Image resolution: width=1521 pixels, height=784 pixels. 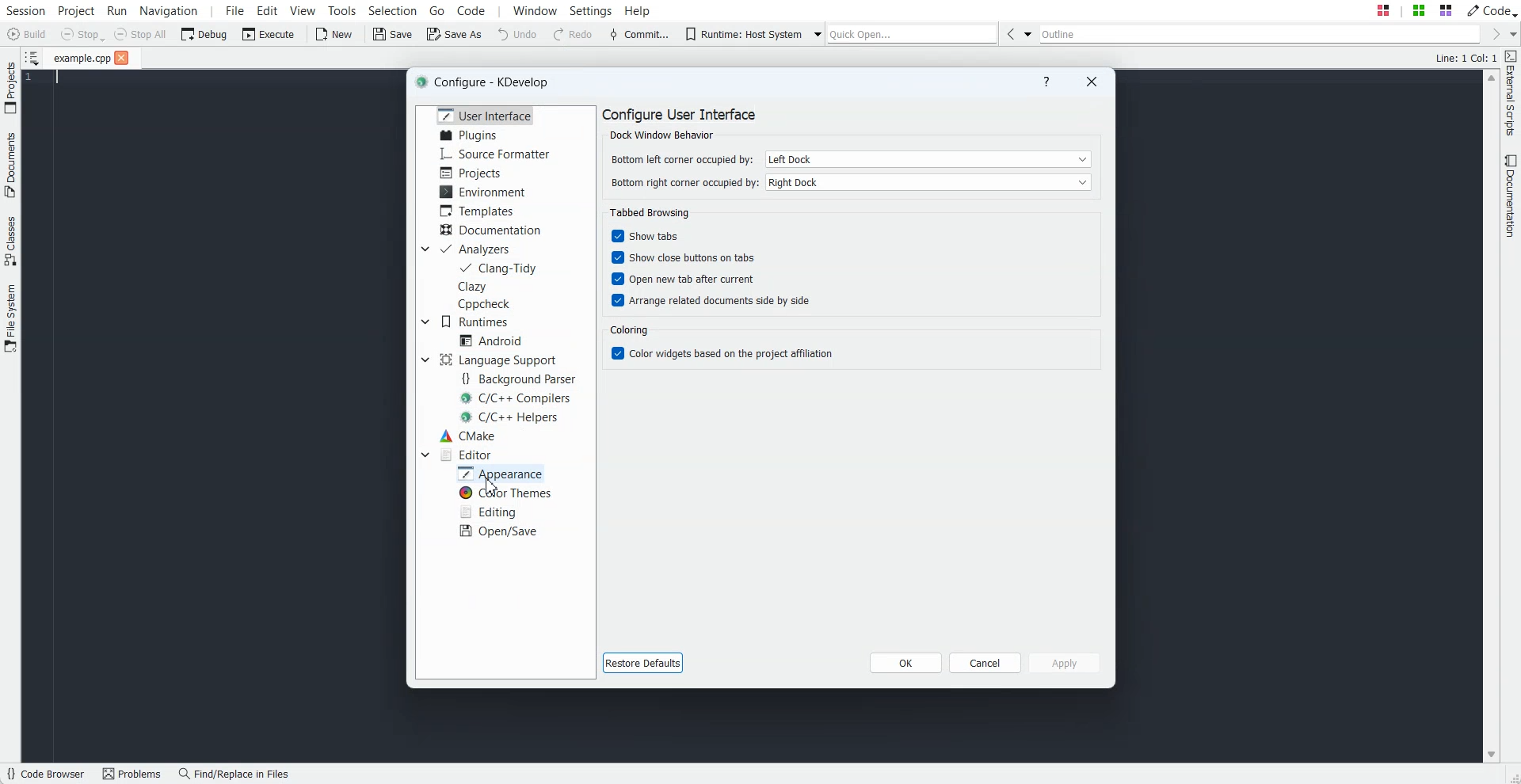 I want to click on Projects, so click(x=474, y=172).